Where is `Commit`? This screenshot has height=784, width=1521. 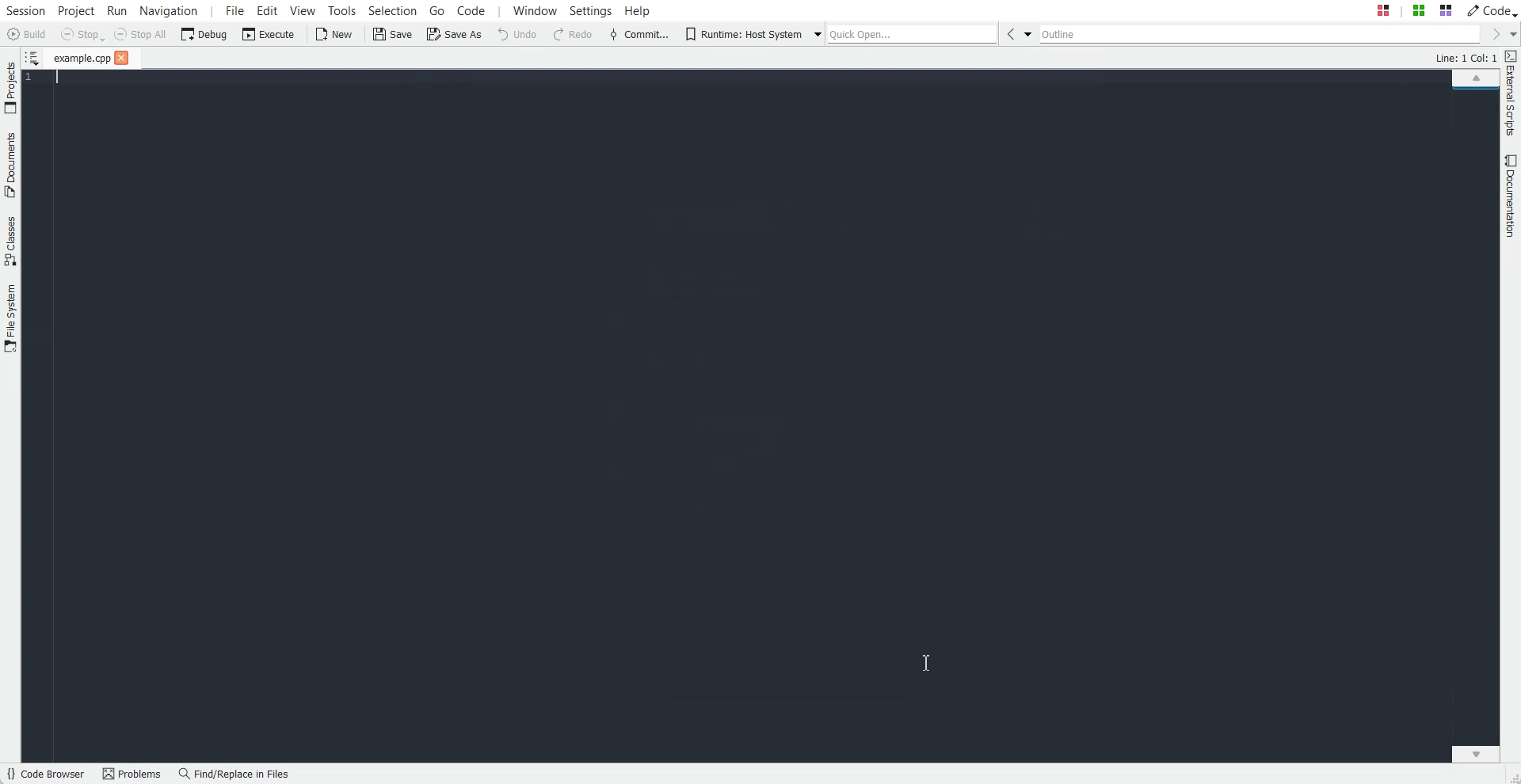
Commit is located at coordinates (638, 36).